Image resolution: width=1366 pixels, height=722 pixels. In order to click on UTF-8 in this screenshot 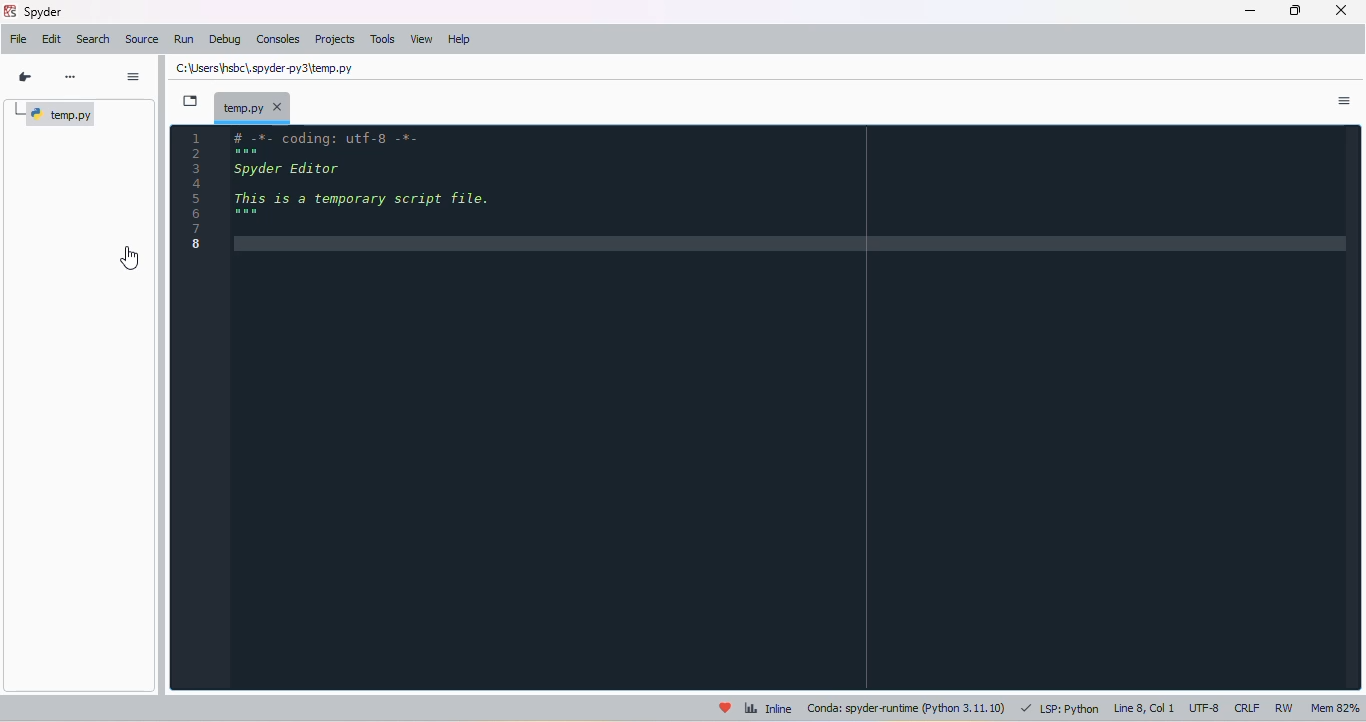, I will do `click(1205, 709)`.